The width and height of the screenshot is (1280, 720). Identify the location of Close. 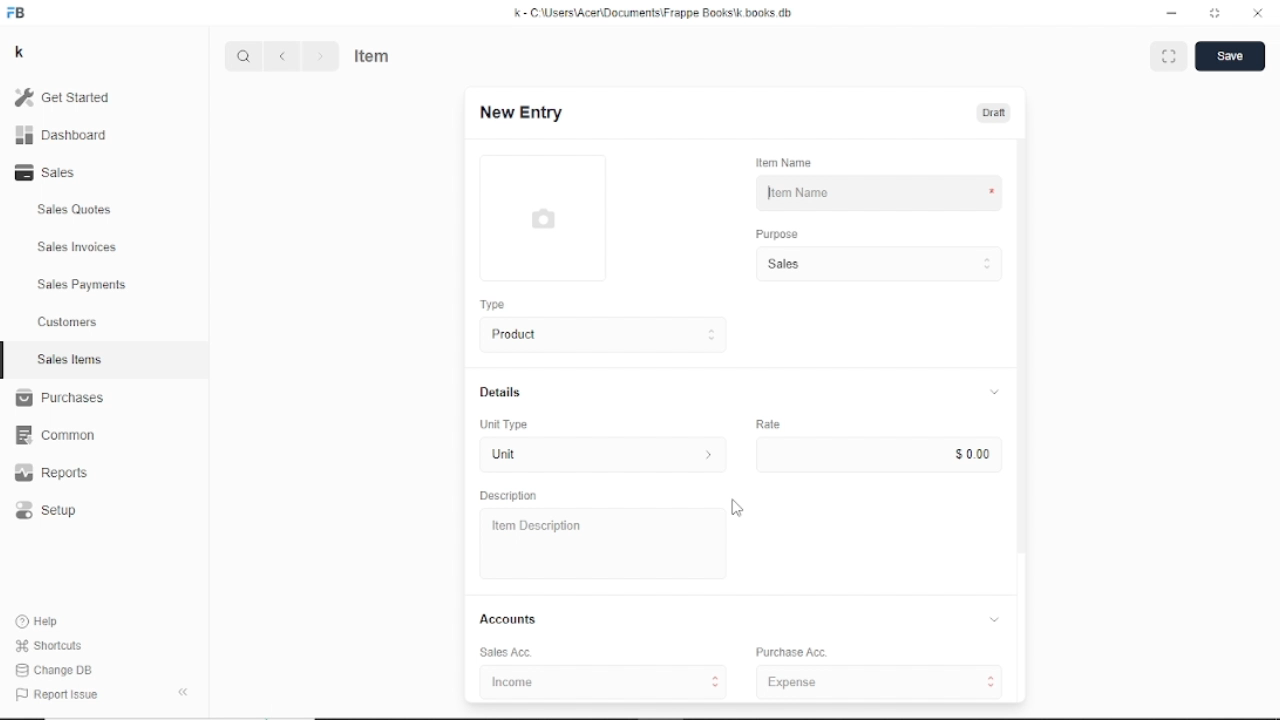
(1258, 13).